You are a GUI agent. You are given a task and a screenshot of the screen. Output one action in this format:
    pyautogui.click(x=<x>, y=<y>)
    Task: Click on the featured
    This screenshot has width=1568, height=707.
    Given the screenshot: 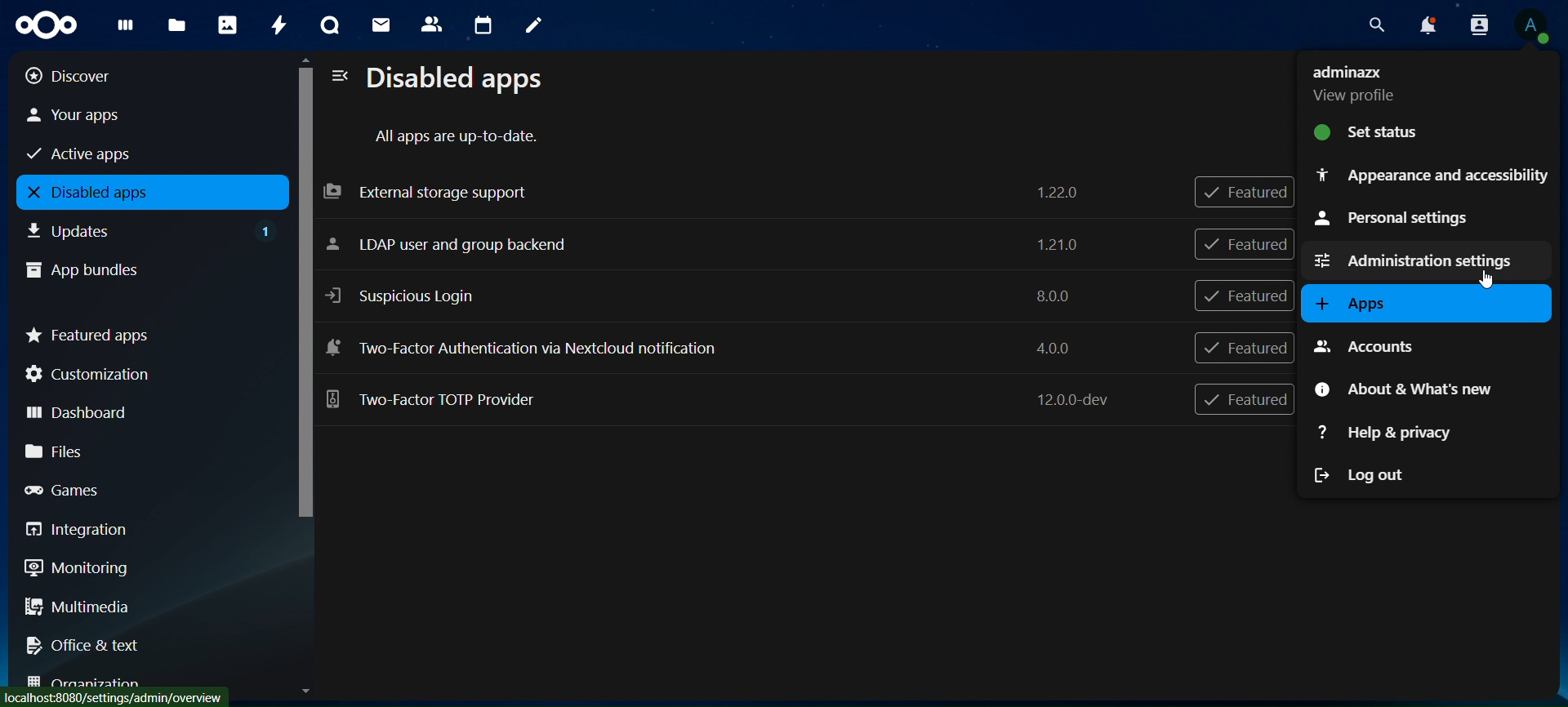 What is the action you would take?
    pyautogui.click(x=1245, y=243)
    